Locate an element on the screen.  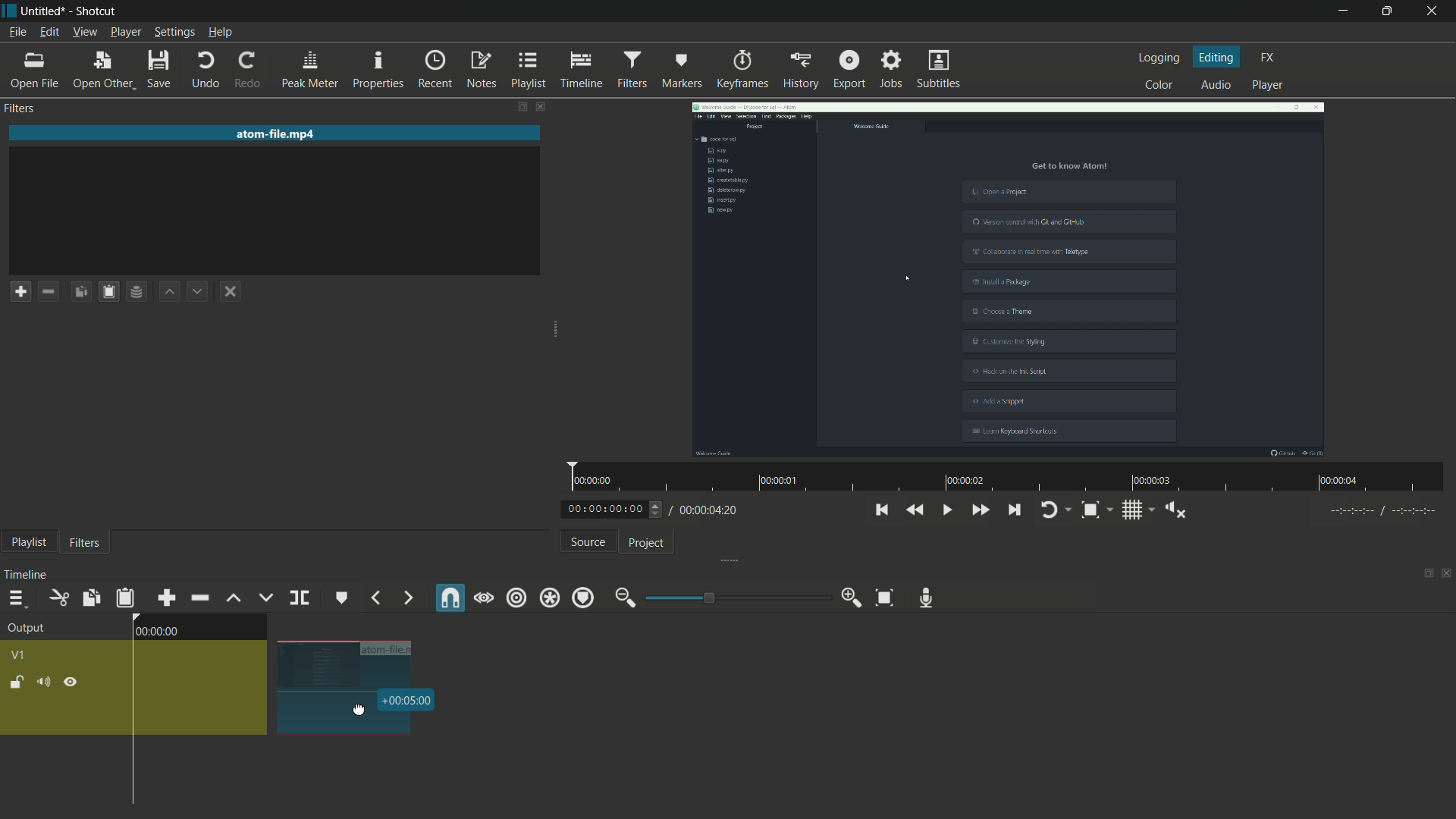
show volume control is located at coordinates (1176, 510).